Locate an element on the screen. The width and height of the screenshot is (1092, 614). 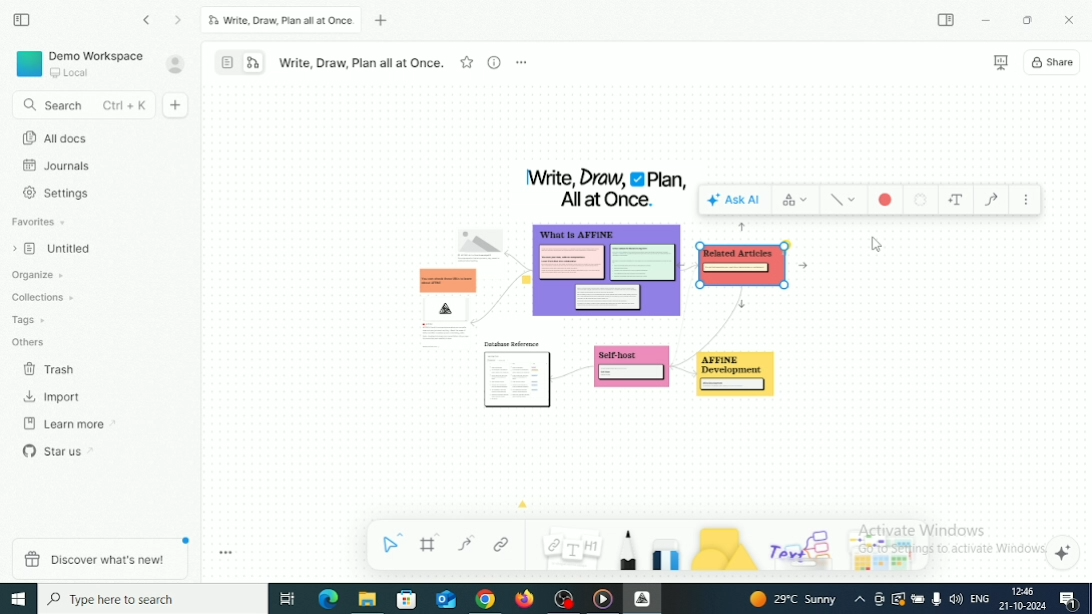
Link is located at coordinates (502, 544).